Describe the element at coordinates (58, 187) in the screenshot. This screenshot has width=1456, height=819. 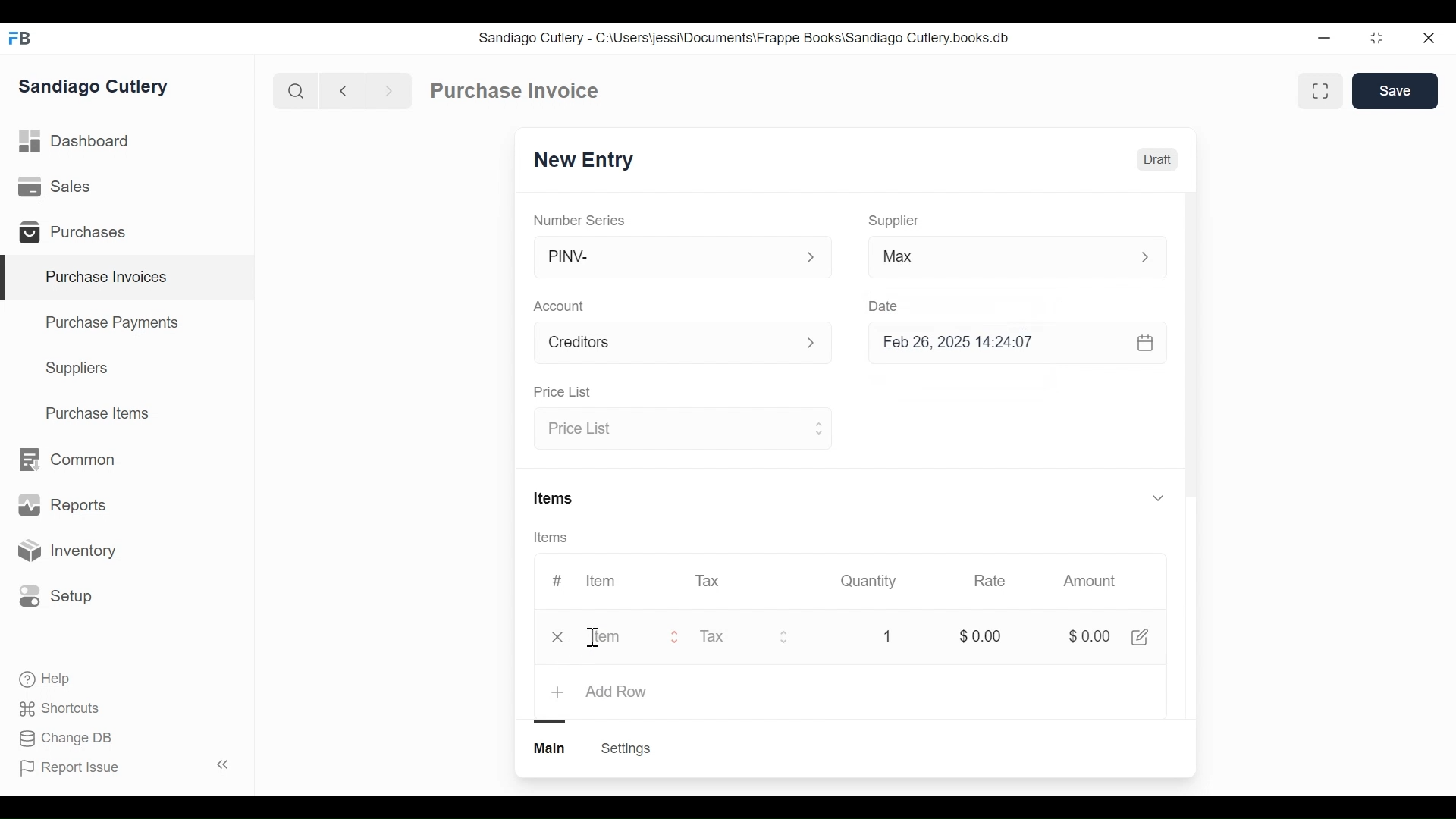
I see `Sales` at that location.